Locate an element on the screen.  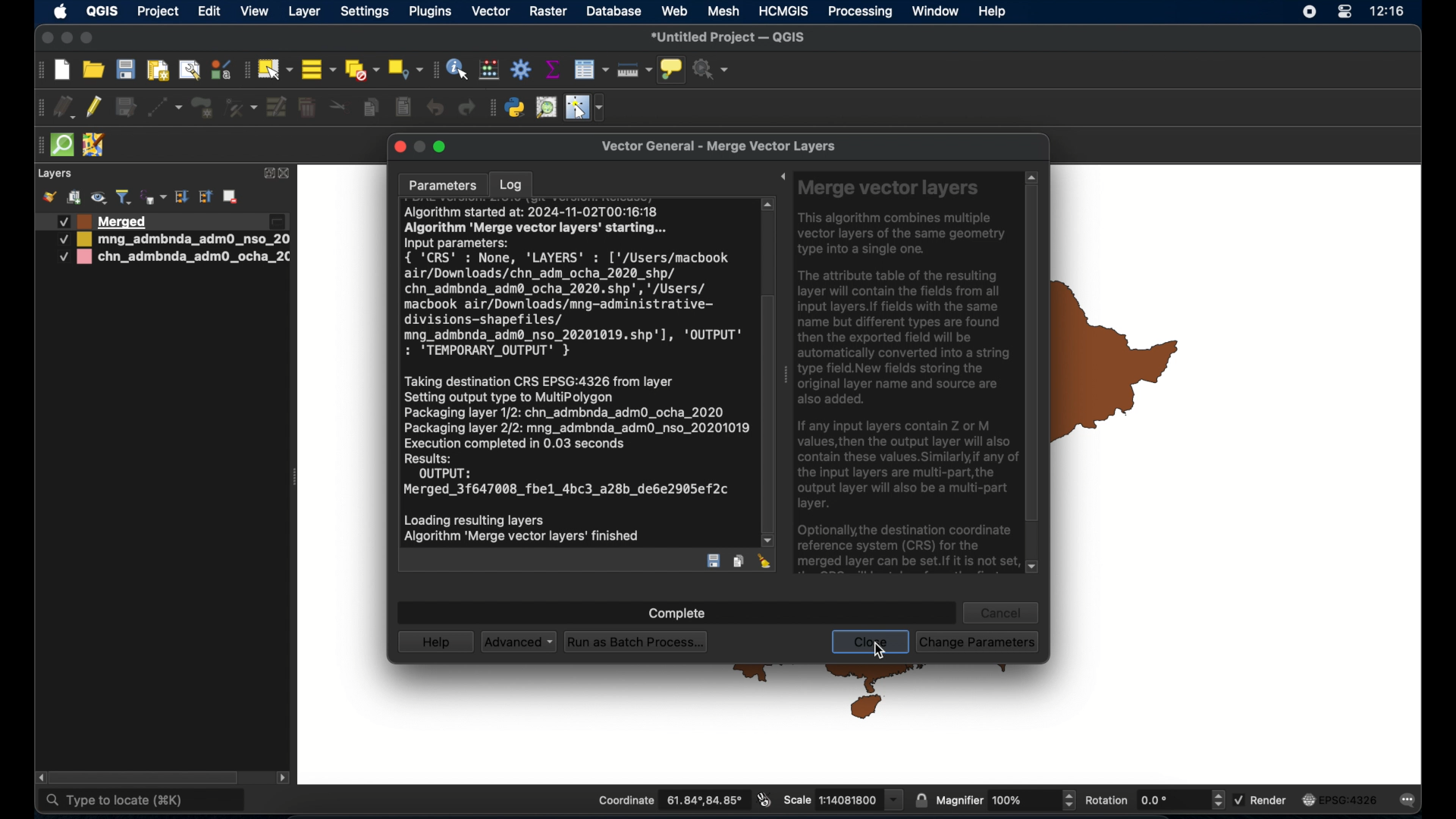
toggle extents and mouse position display is located at coordinates (762, 799).